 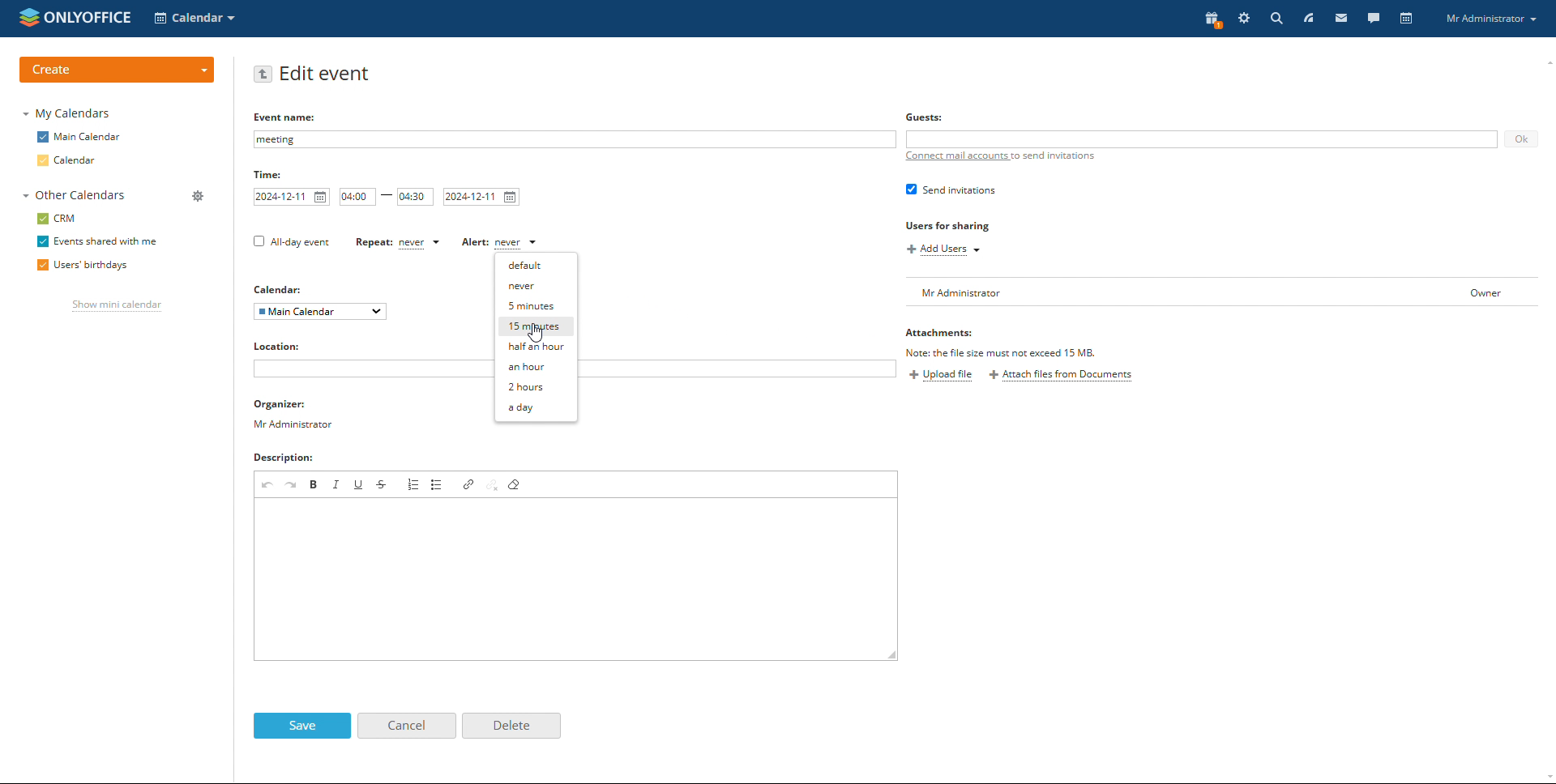 What do you see at coordinates (1406, 19) in the screenshot?
I see `calendar` at bounding box center [1406, 19].